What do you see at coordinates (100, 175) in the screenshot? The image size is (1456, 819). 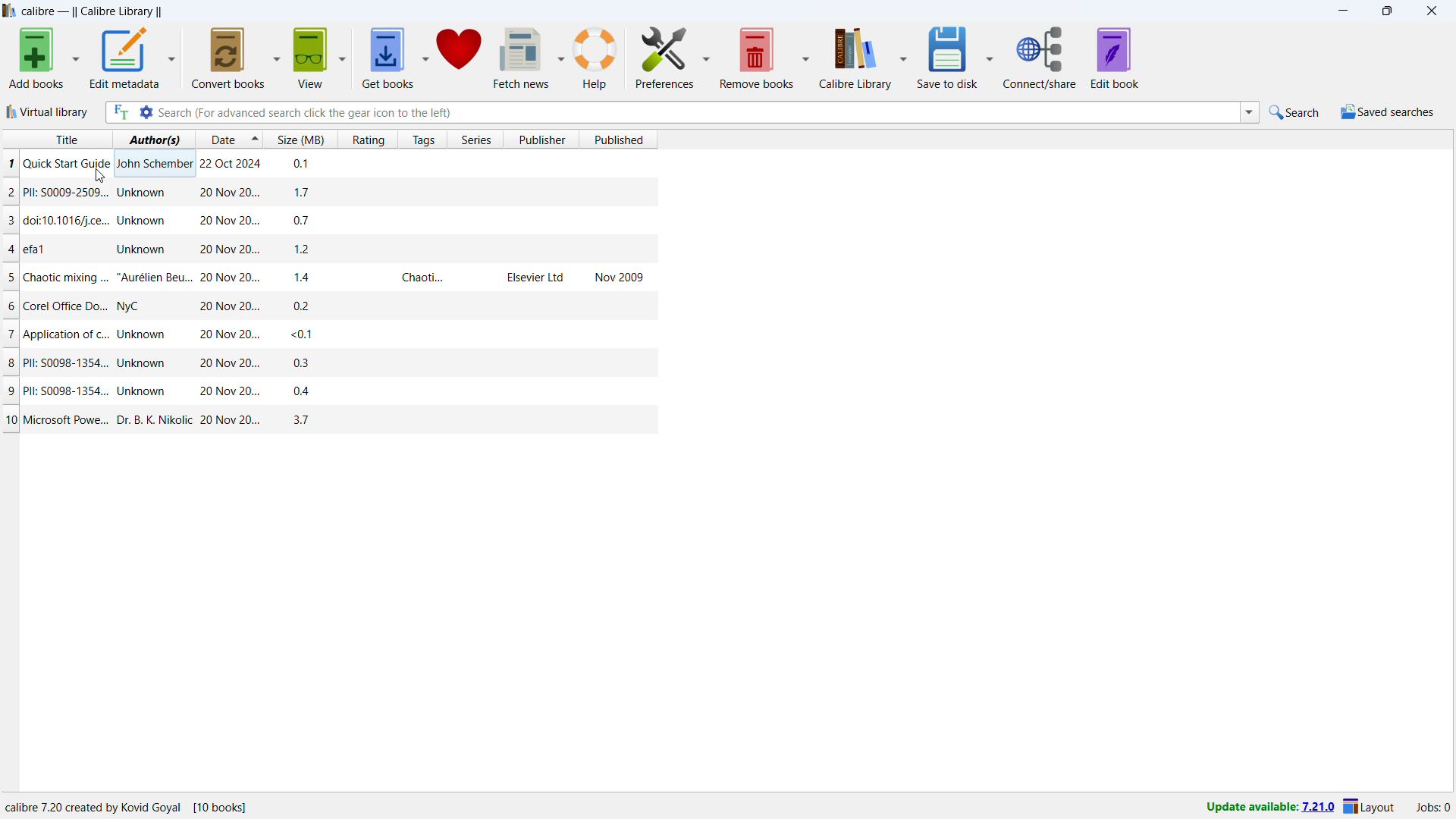 I see `cursor` at bounding box center [100, 175].